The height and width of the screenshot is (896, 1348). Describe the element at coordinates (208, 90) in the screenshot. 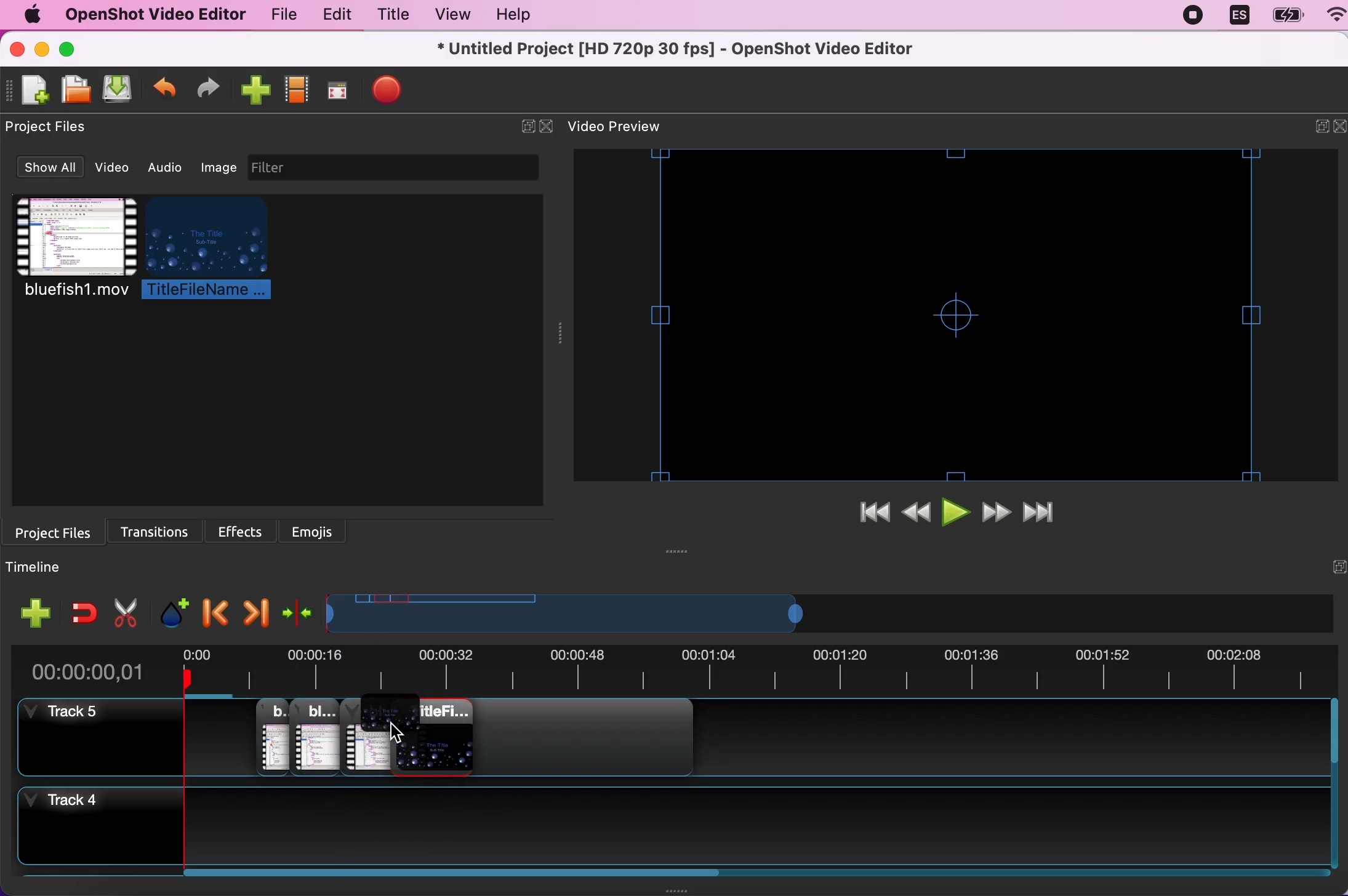

I see `redo` at that location.